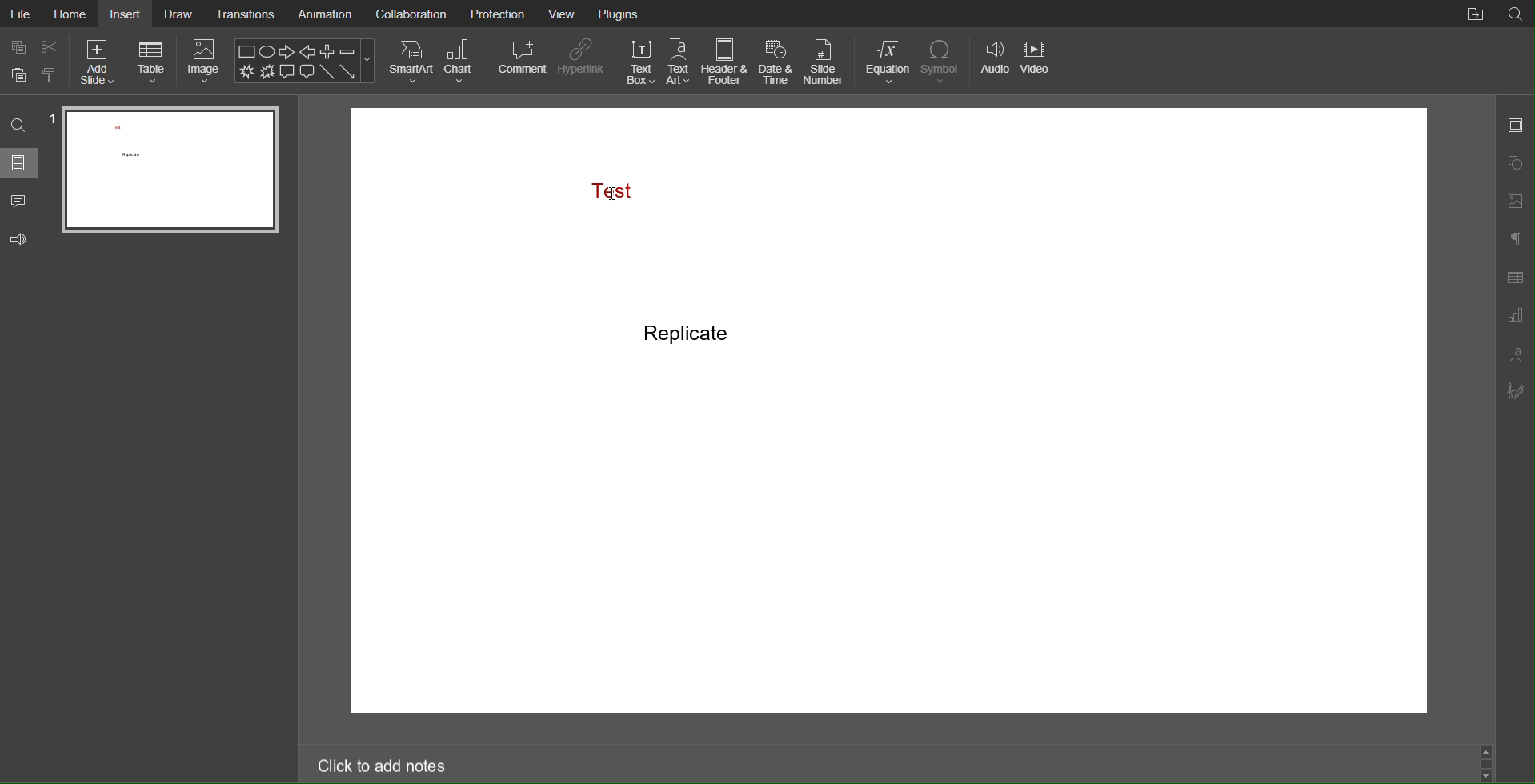 The width and height of the screenshot is (1535, 784). What do you see at coordinates (563, 14) in the screenshot?
I see `View` at bounding box center [563, 14].